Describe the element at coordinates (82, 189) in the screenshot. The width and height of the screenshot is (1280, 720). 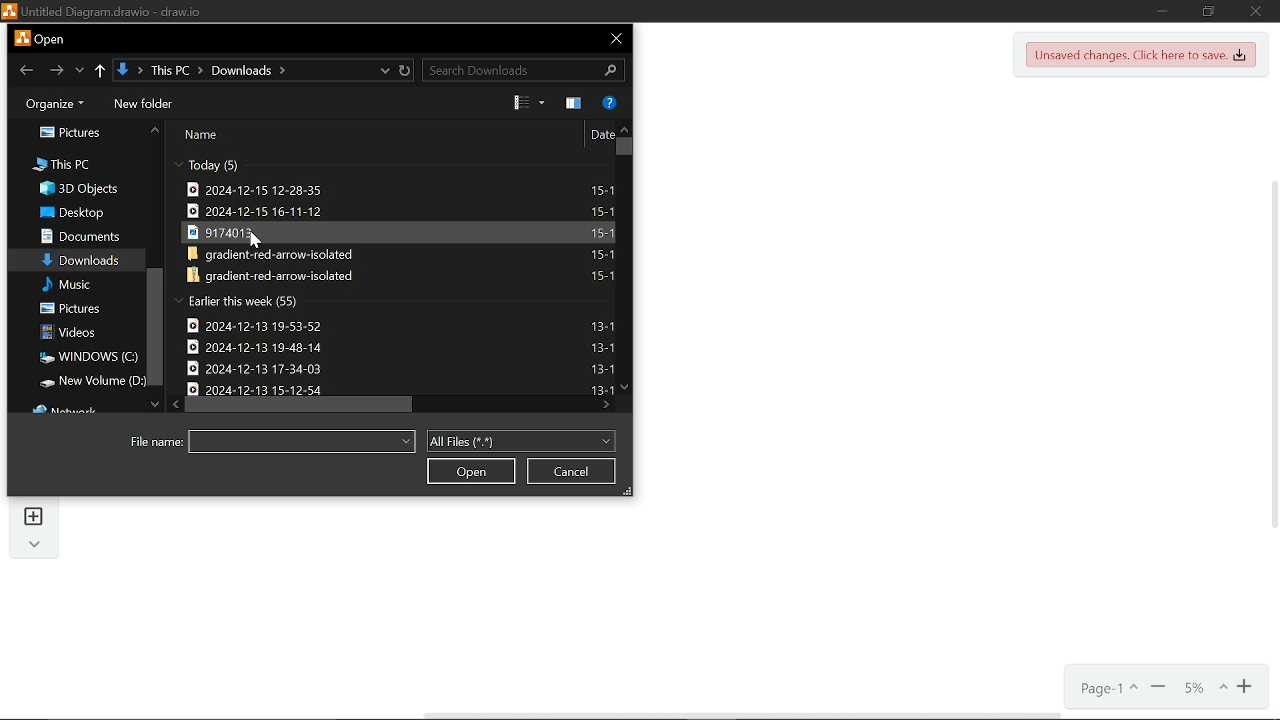
I see `3d objects` at that location.